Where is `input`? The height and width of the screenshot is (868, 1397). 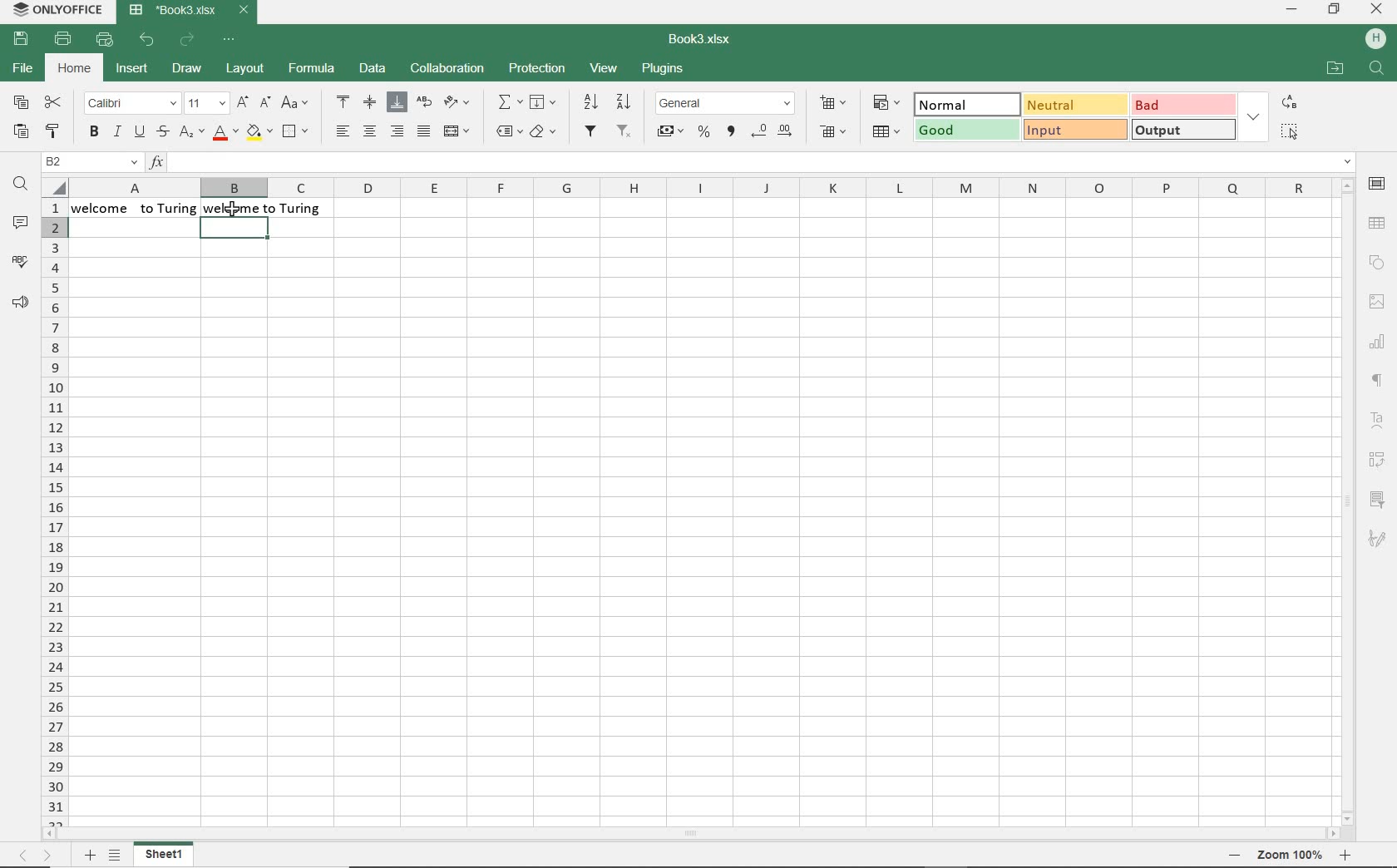 input is located at coordinates (1075, 131).